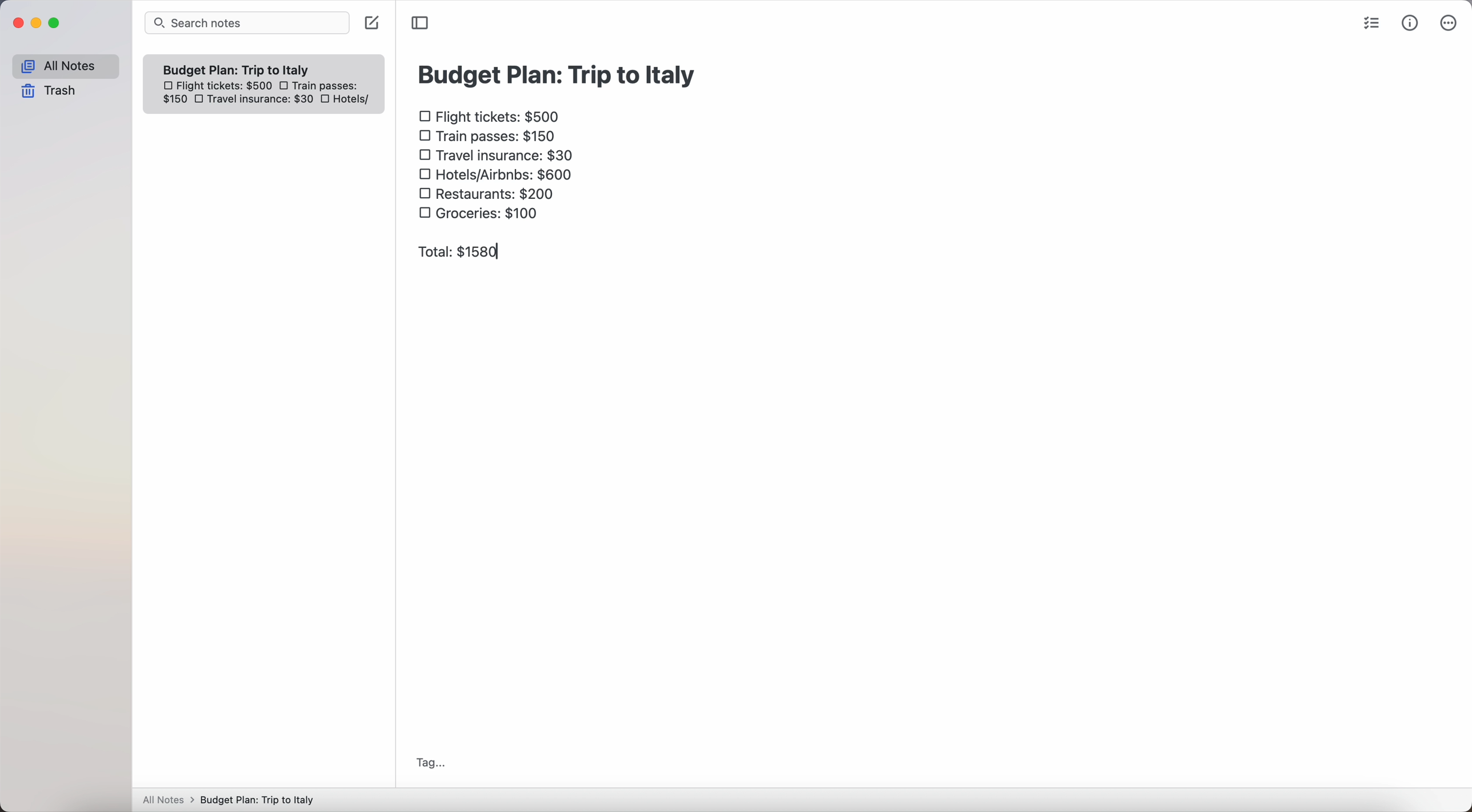 The height and width of the screenshot is (812, 1472). What do you see at coordinates (174, 101) in the screenshot?
I see `150` at bounding box center [174, 101].